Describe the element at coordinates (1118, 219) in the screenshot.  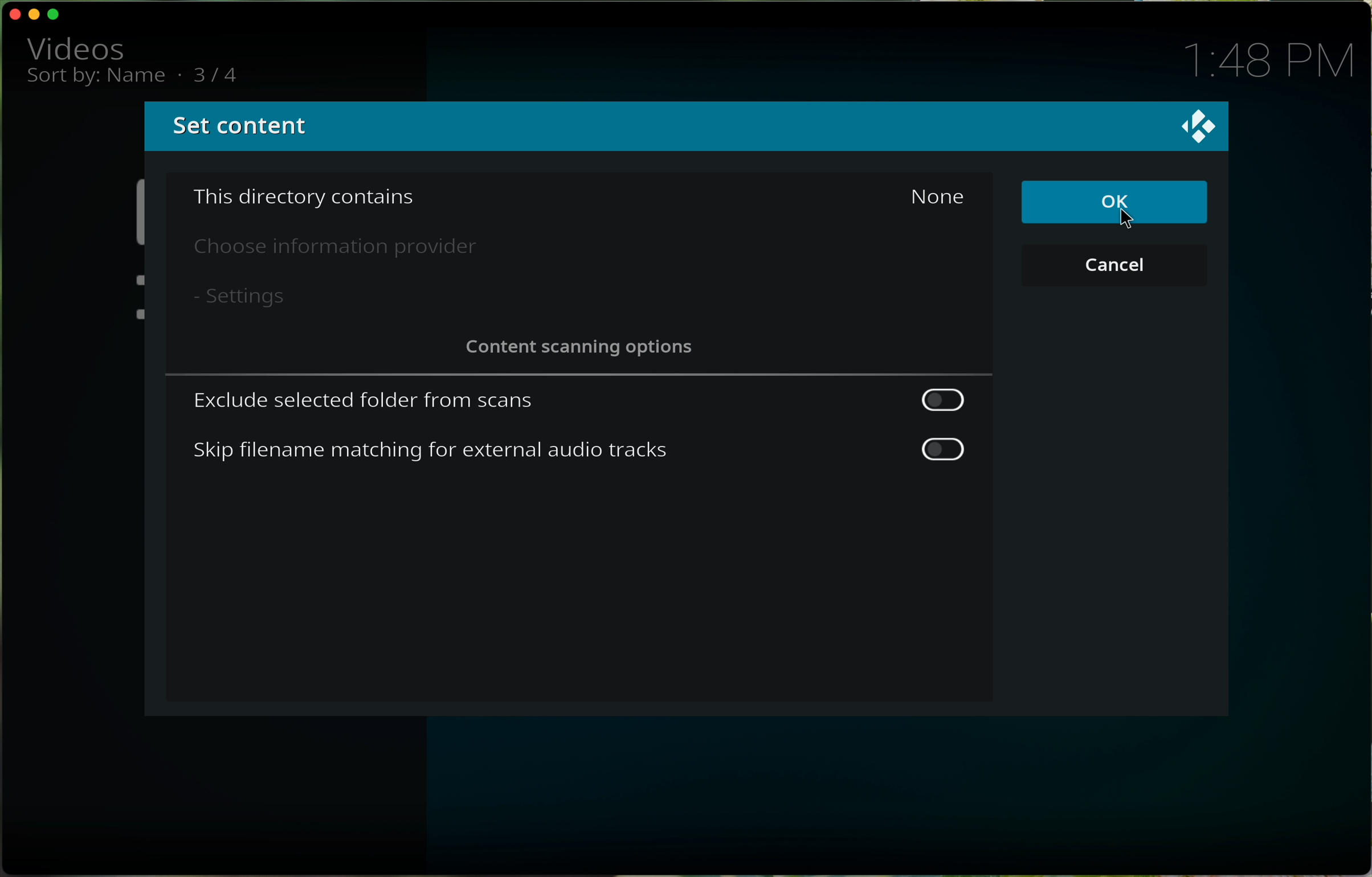
I see `cursor` at that location.